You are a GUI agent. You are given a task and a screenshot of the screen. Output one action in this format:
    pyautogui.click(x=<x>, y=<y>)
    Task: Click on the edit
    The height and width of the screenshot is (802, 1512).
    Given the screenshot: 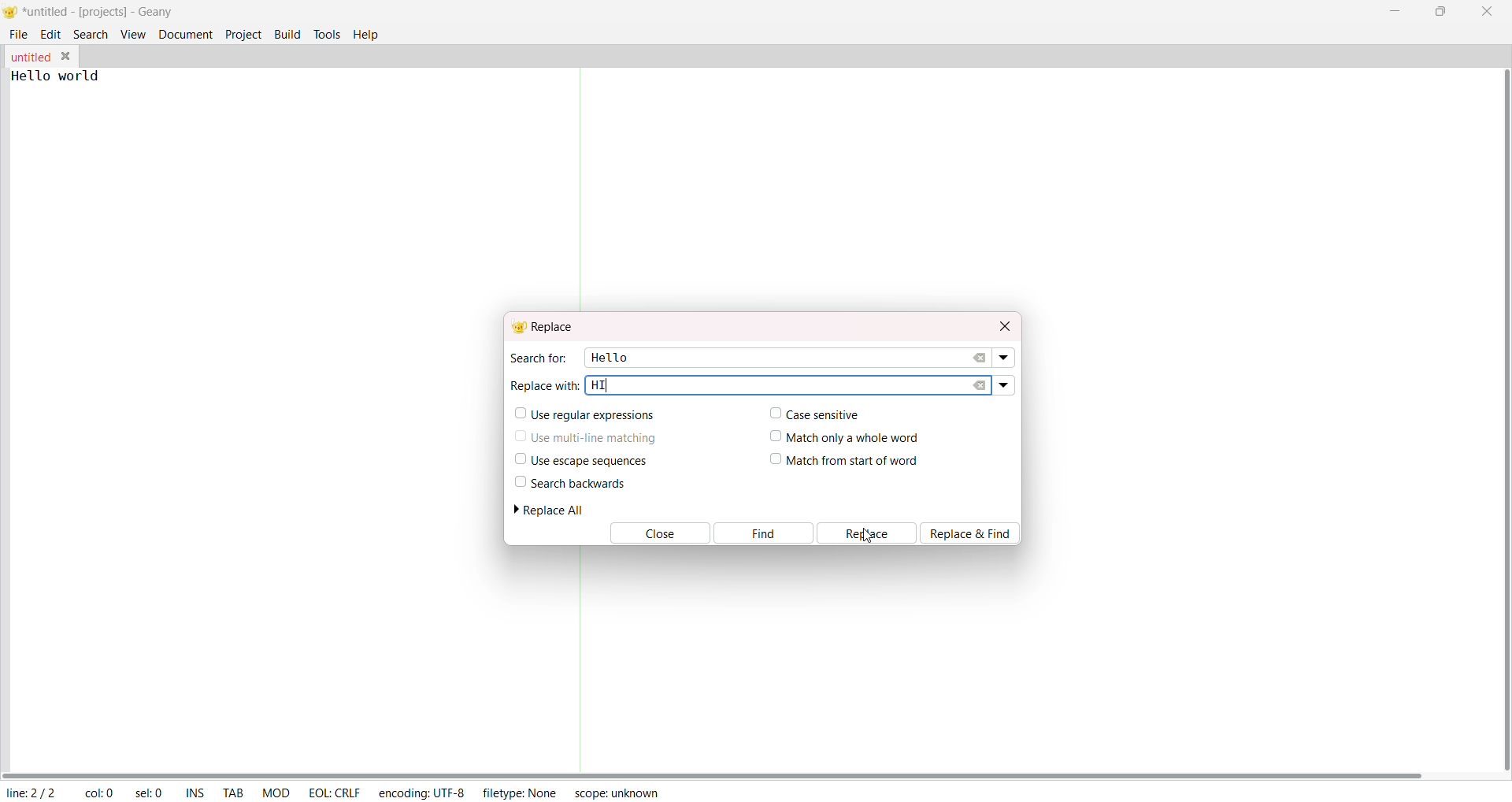 What is the action you would take?
    pyautogui.click(x=51, y=33)
    